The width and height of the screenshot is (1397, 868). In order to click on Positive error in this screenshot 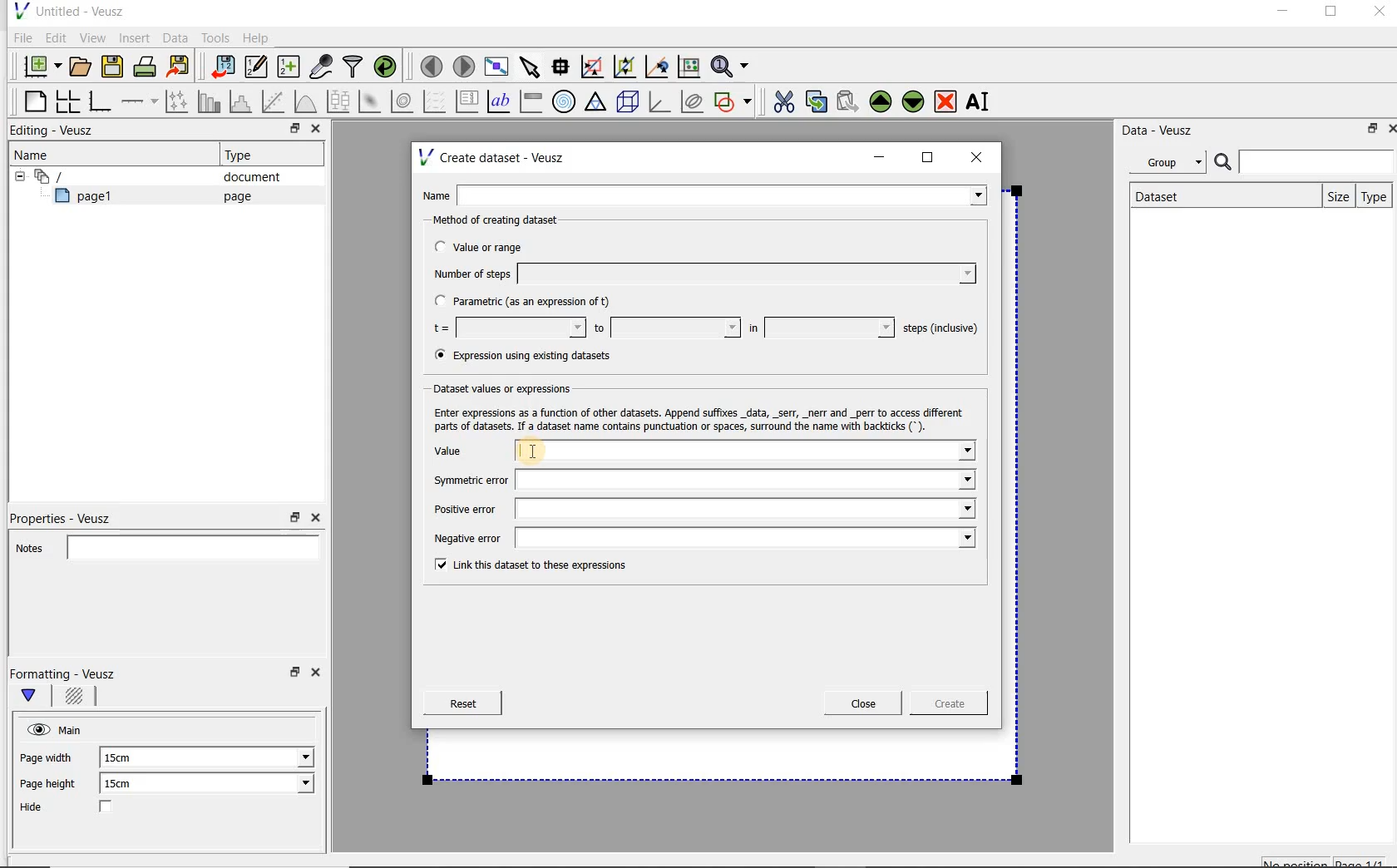, I will do `click(698, 509)`.